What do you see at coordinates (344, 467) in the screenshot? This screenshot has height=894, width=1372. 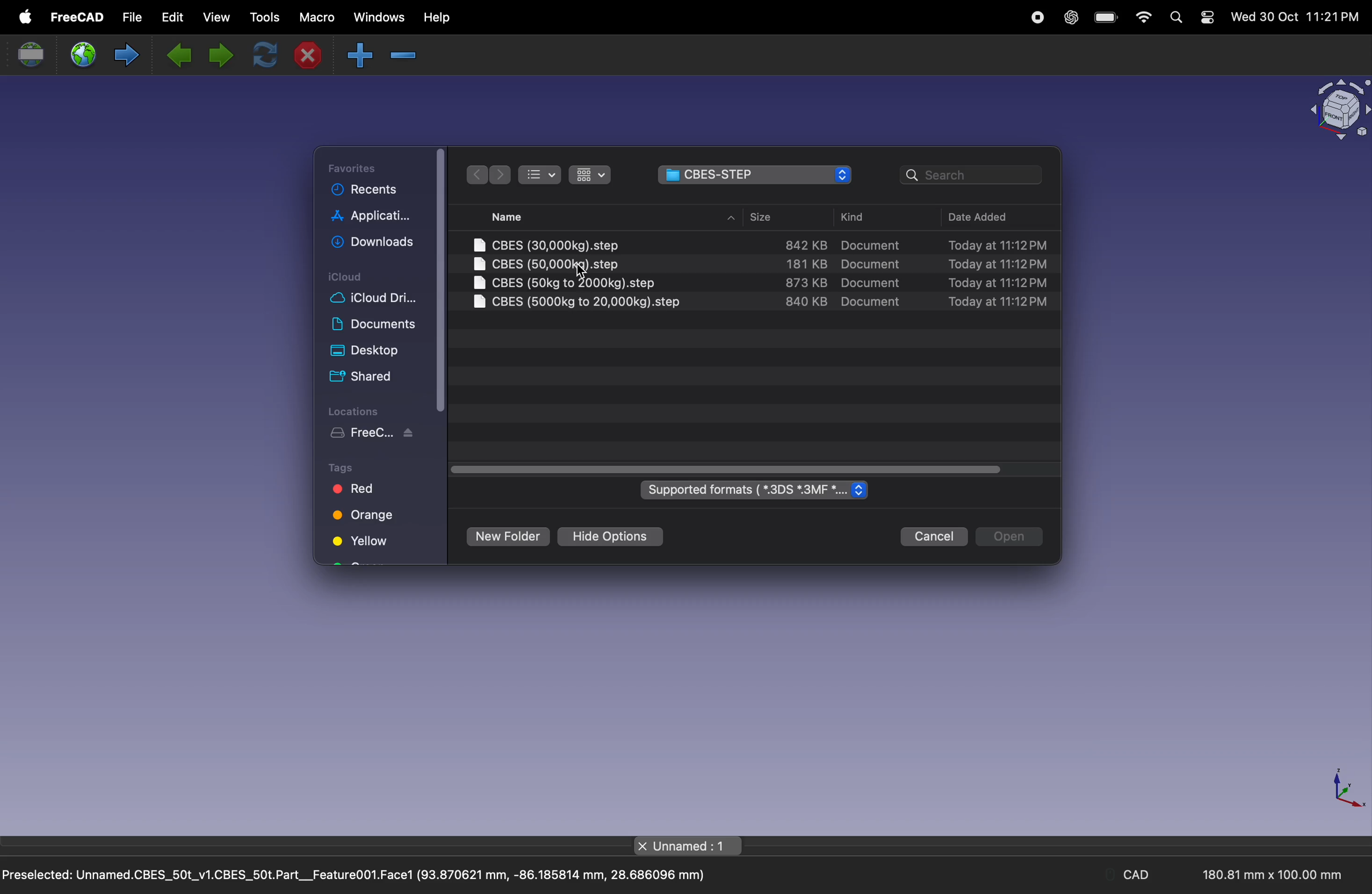 I see `Tags` at bounding box center [344, 467].